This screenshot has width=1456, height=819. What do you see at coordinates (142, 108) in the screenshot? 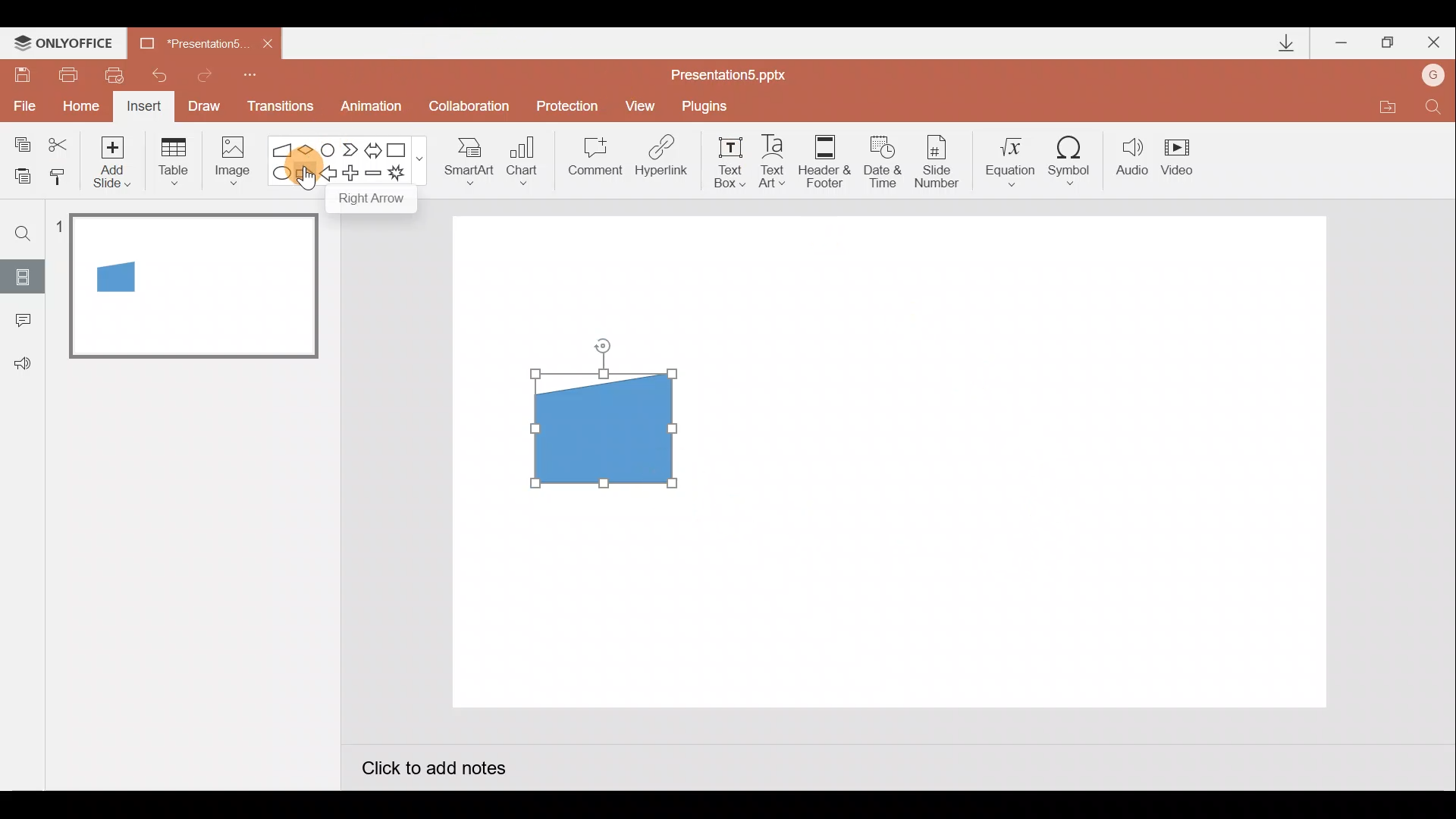
I see `Insert` at bounding box center [142, 108].